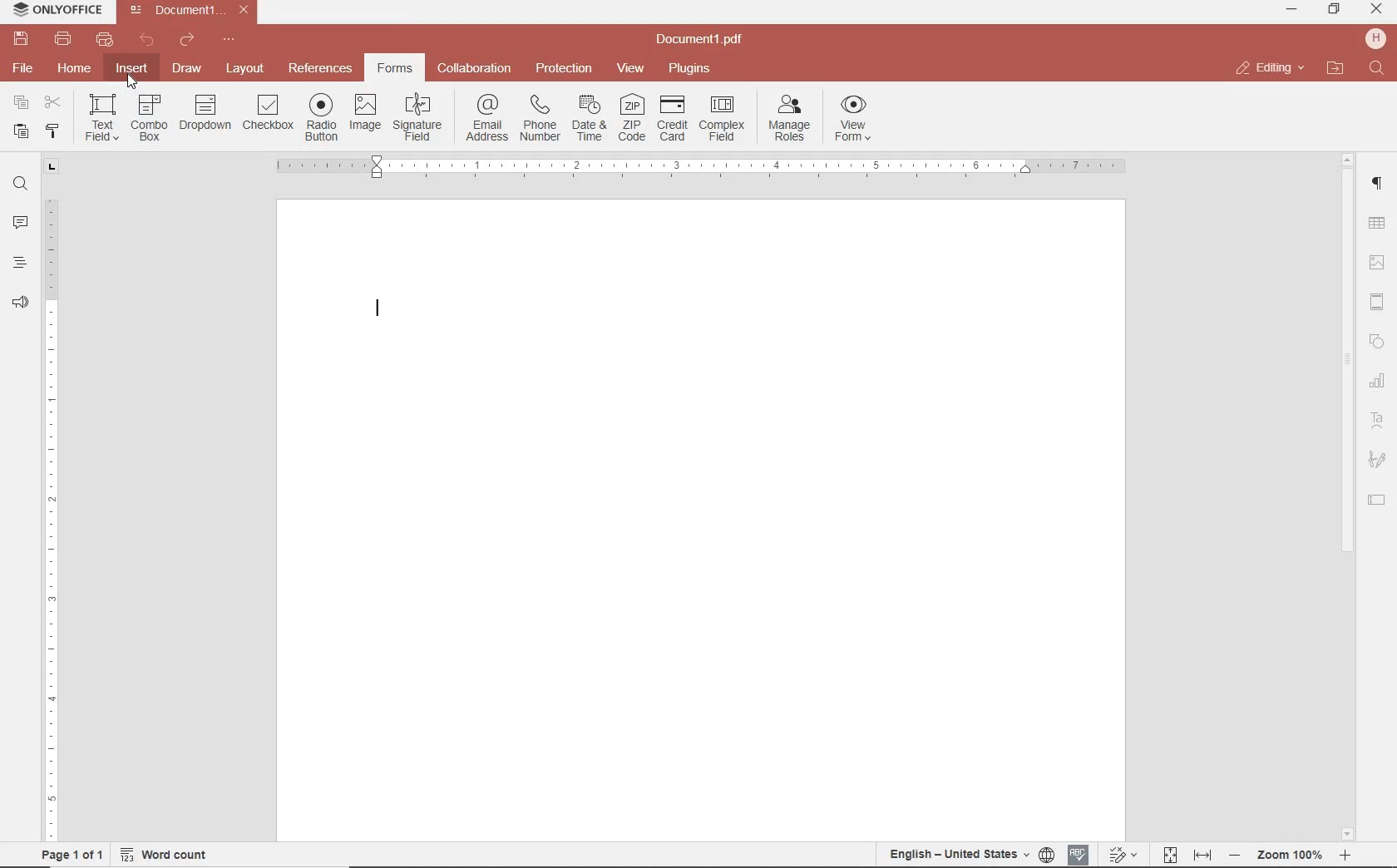  What do you see at coordinates (1379, 38) in the screenshot?
I see `hp` at bounding box center [1379, 38].